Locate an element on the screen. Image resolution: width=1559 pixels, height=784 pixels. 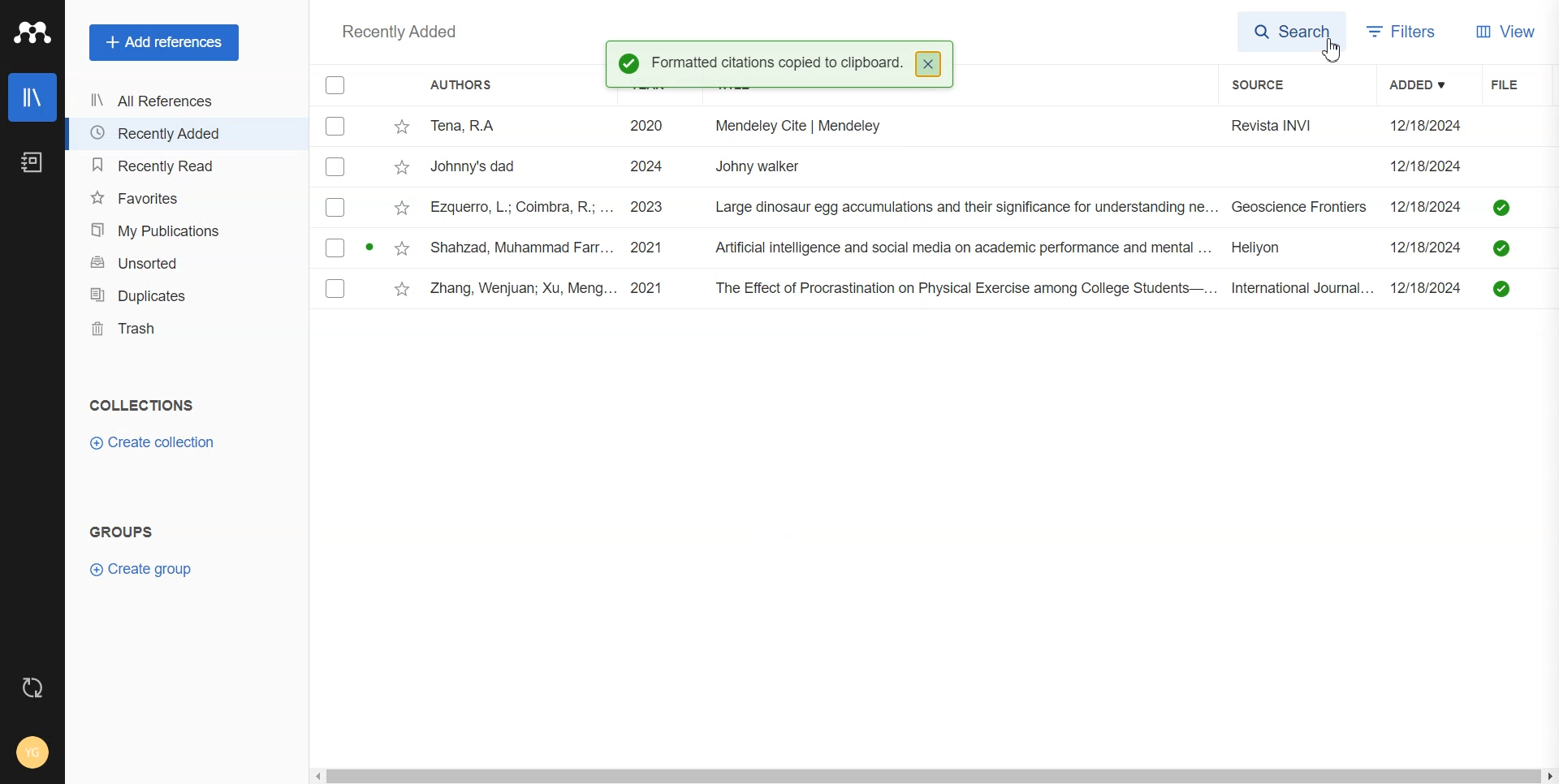
My publication is located at coordinates (187, 230).